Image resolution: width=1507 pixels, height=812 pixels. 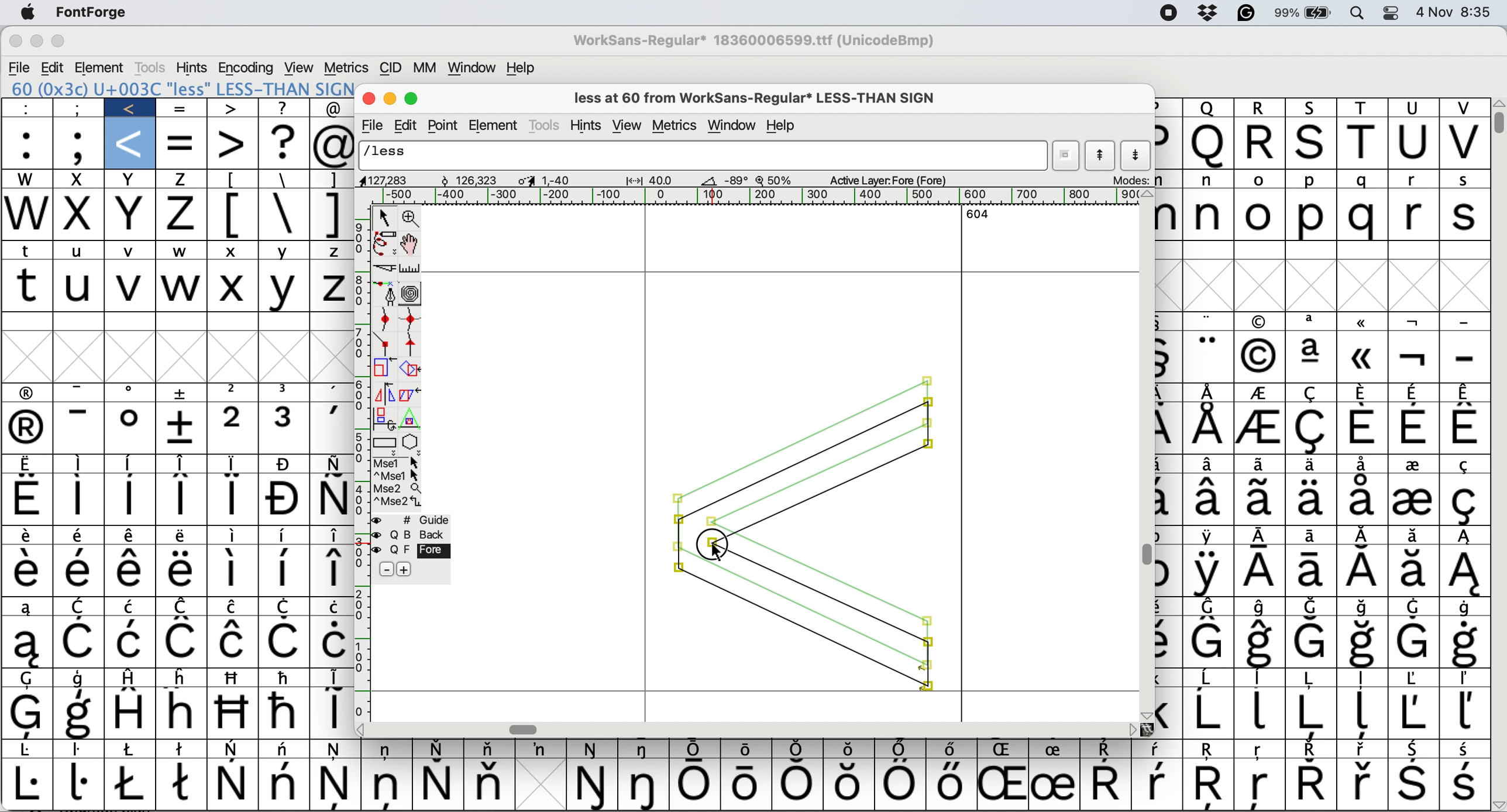 What do you see at coordinates (288, 607) in the screenshot?
I see `Symbol` at bounding box center [288, 607].